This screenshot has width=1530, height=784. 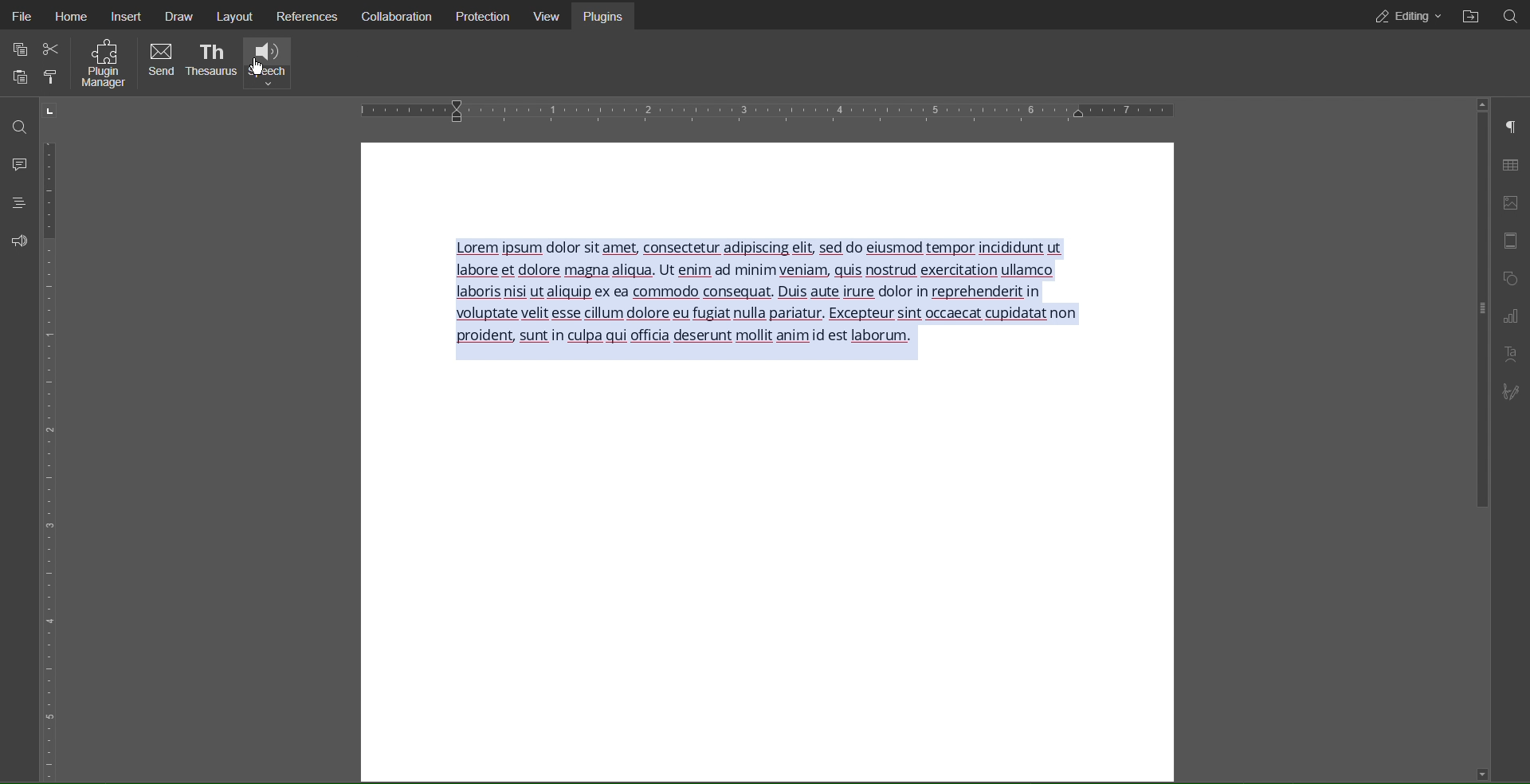 I want to click on Formatter, so click(x=49, y=78).